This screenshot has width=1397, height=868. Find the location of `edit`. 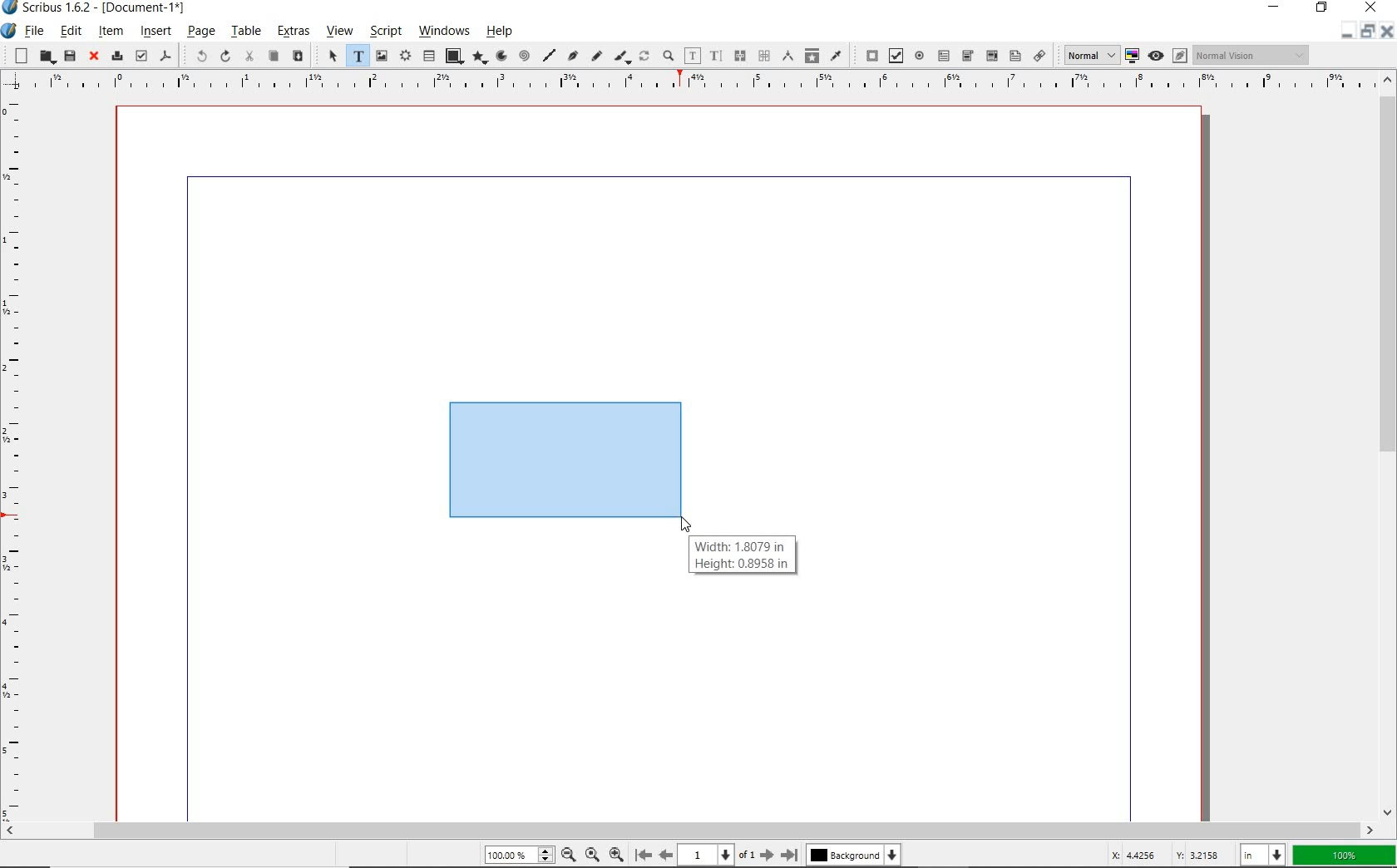

edit is located at coordinates (69, 32).